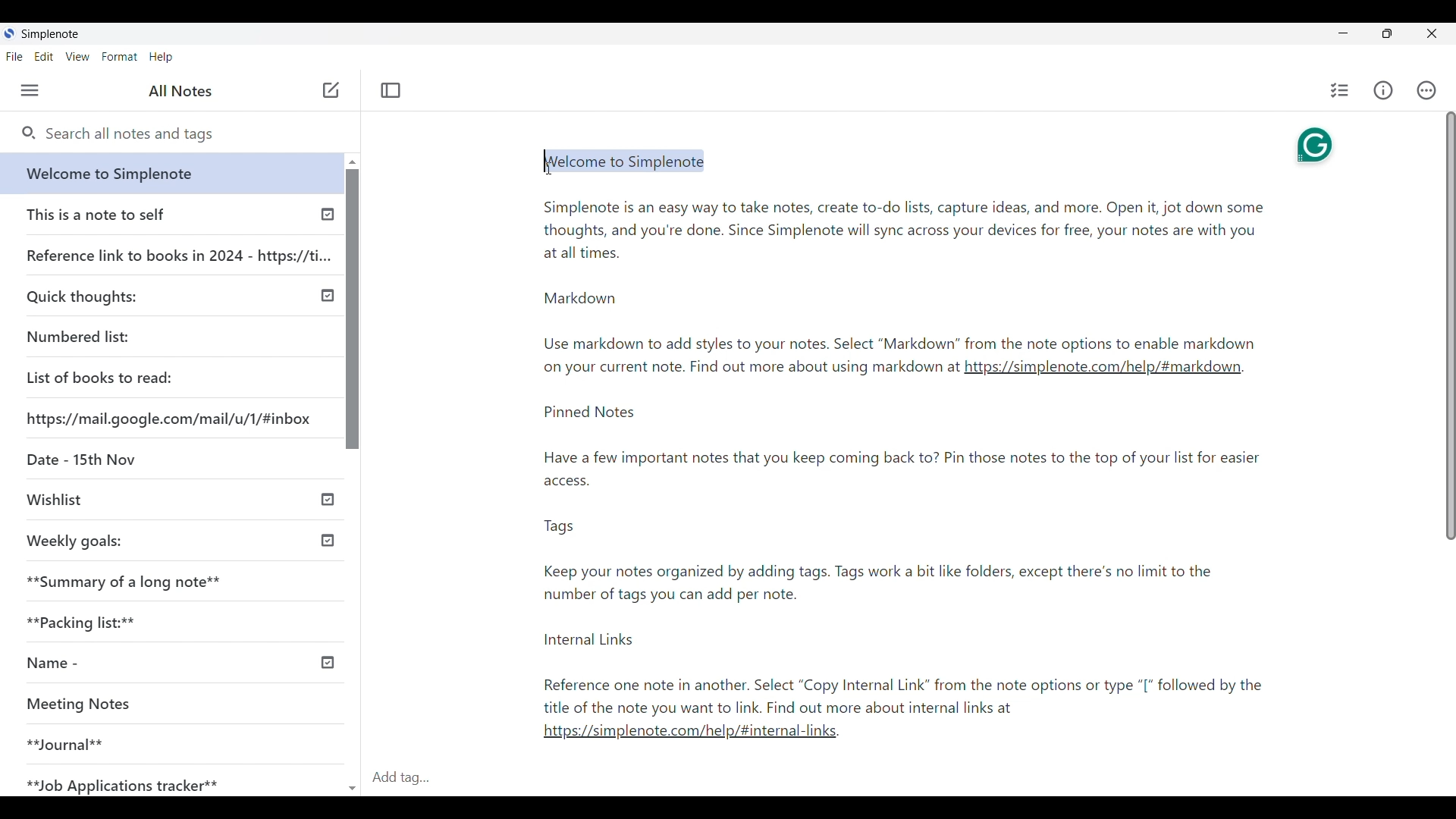  I want to click on Quick slide to top, so click(353, 162).